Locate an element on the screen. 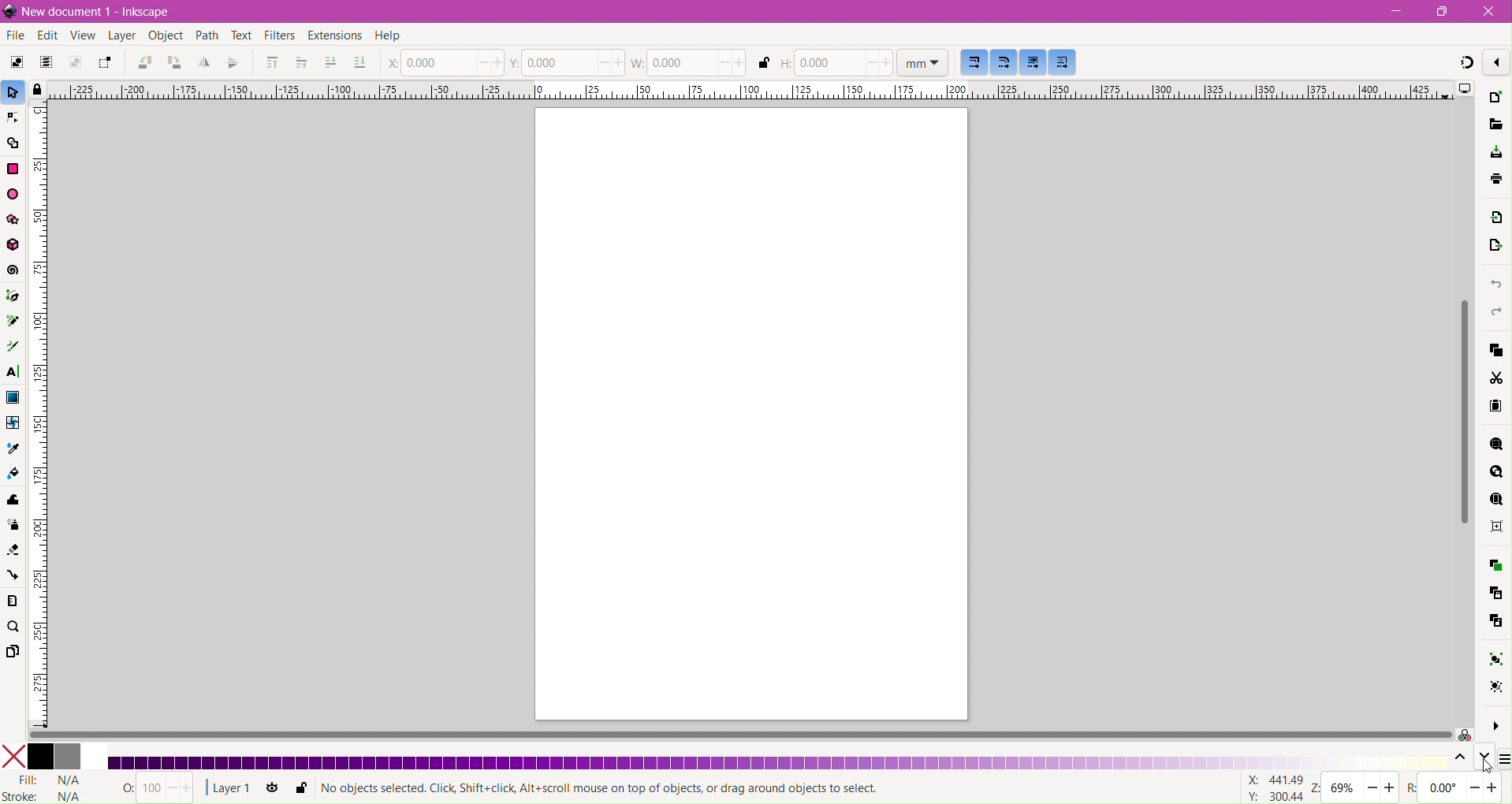 The width and height of the screenshot is (1512, 804). 3d Box Tool is located at coordinates (13, 244).